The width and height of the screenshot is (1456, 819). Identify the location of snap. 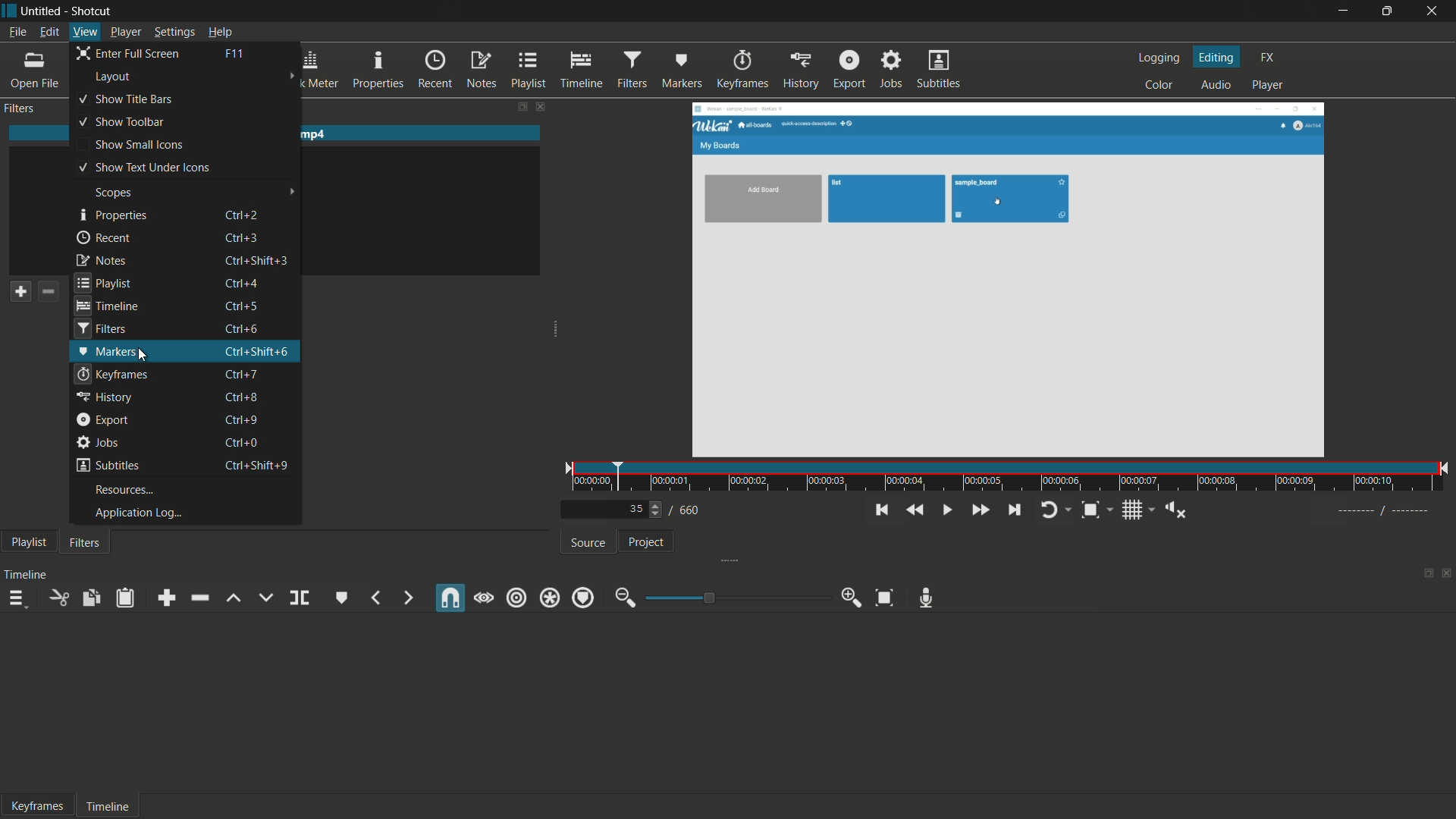
(449, 598).